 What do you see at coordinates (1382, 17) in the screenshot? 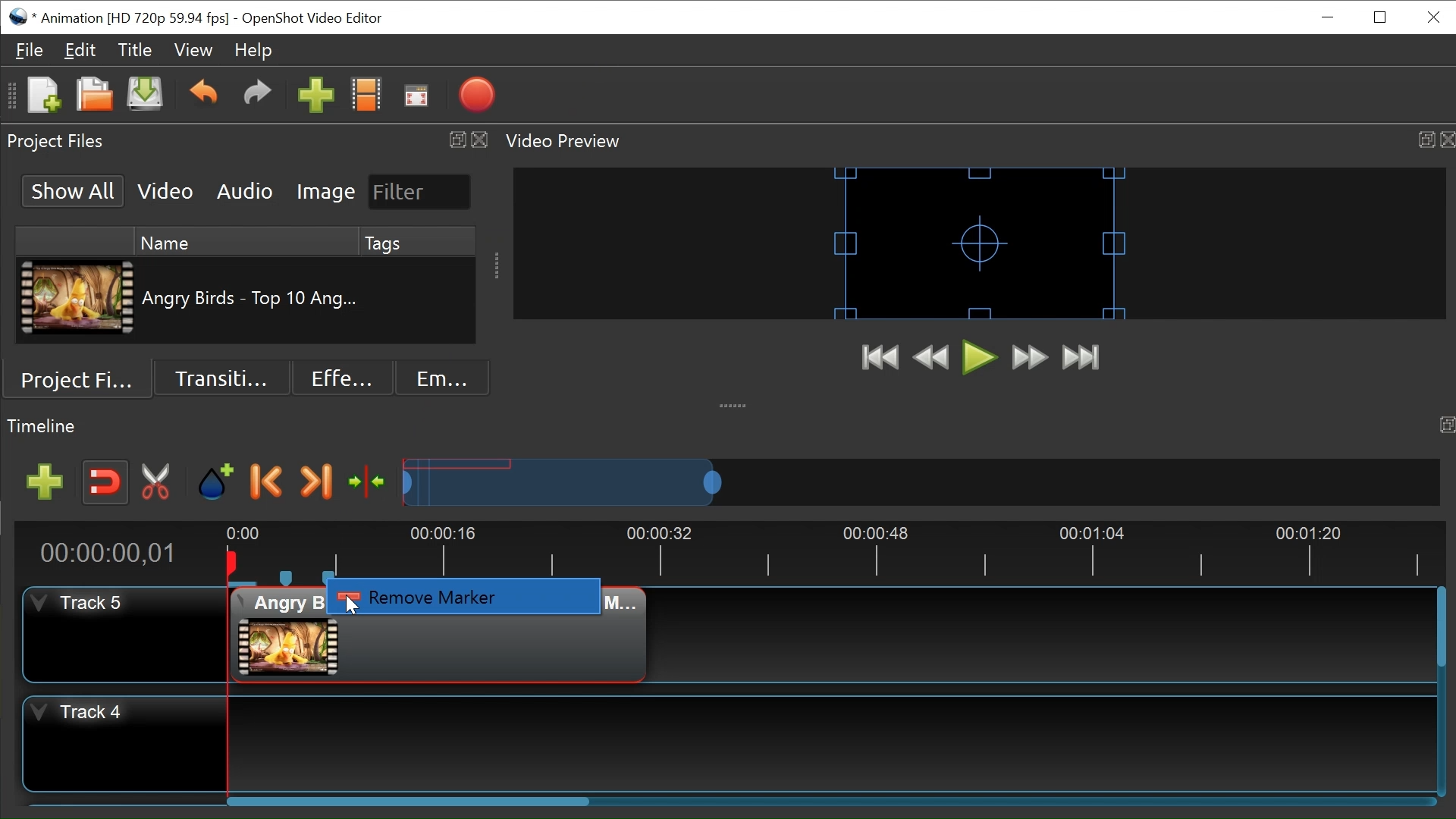
I see `Restore` at bounding box center [1382, 17].